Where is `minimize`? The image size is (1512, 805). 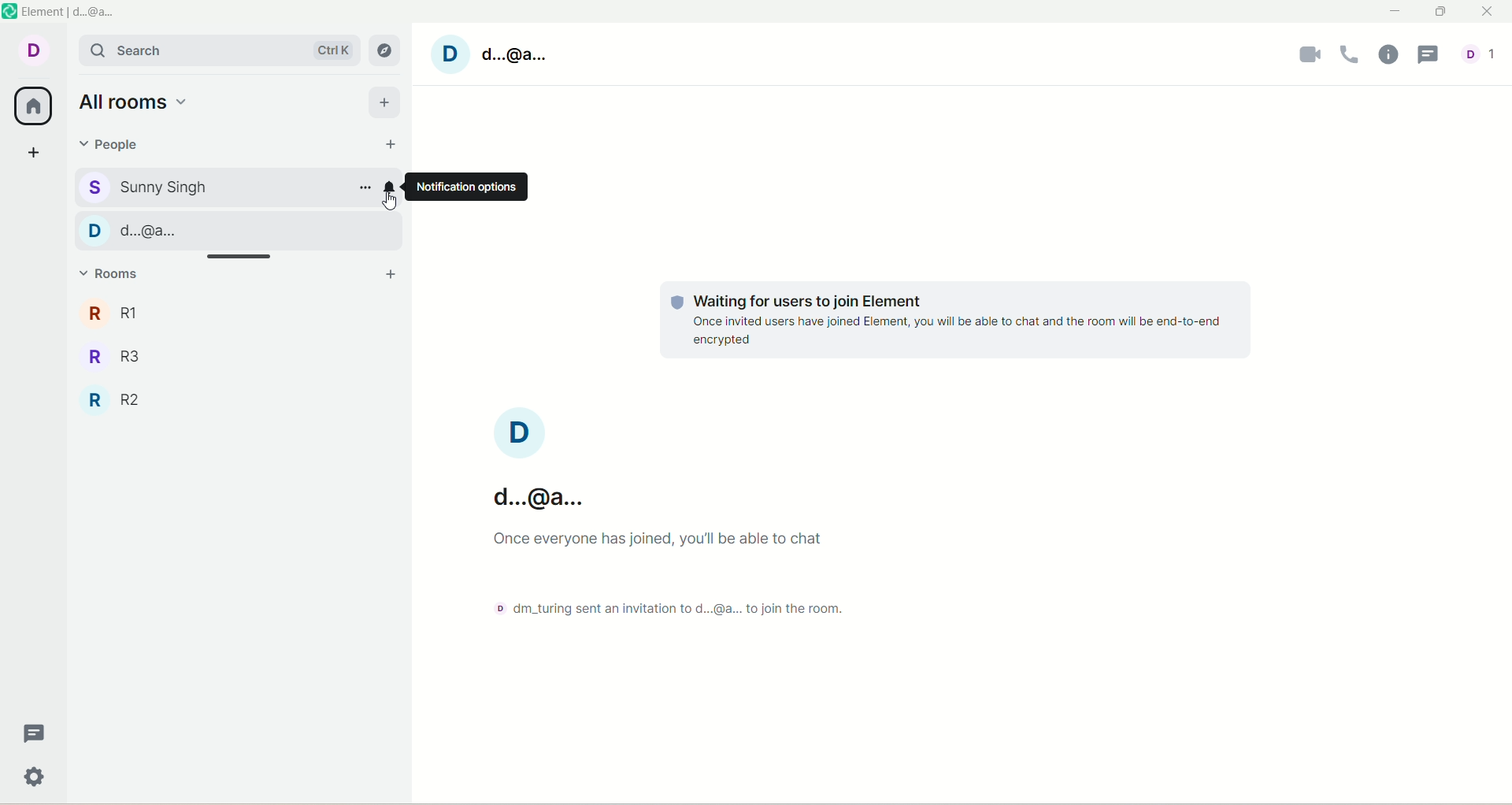
minimize is located at coordinates (1393, 13).